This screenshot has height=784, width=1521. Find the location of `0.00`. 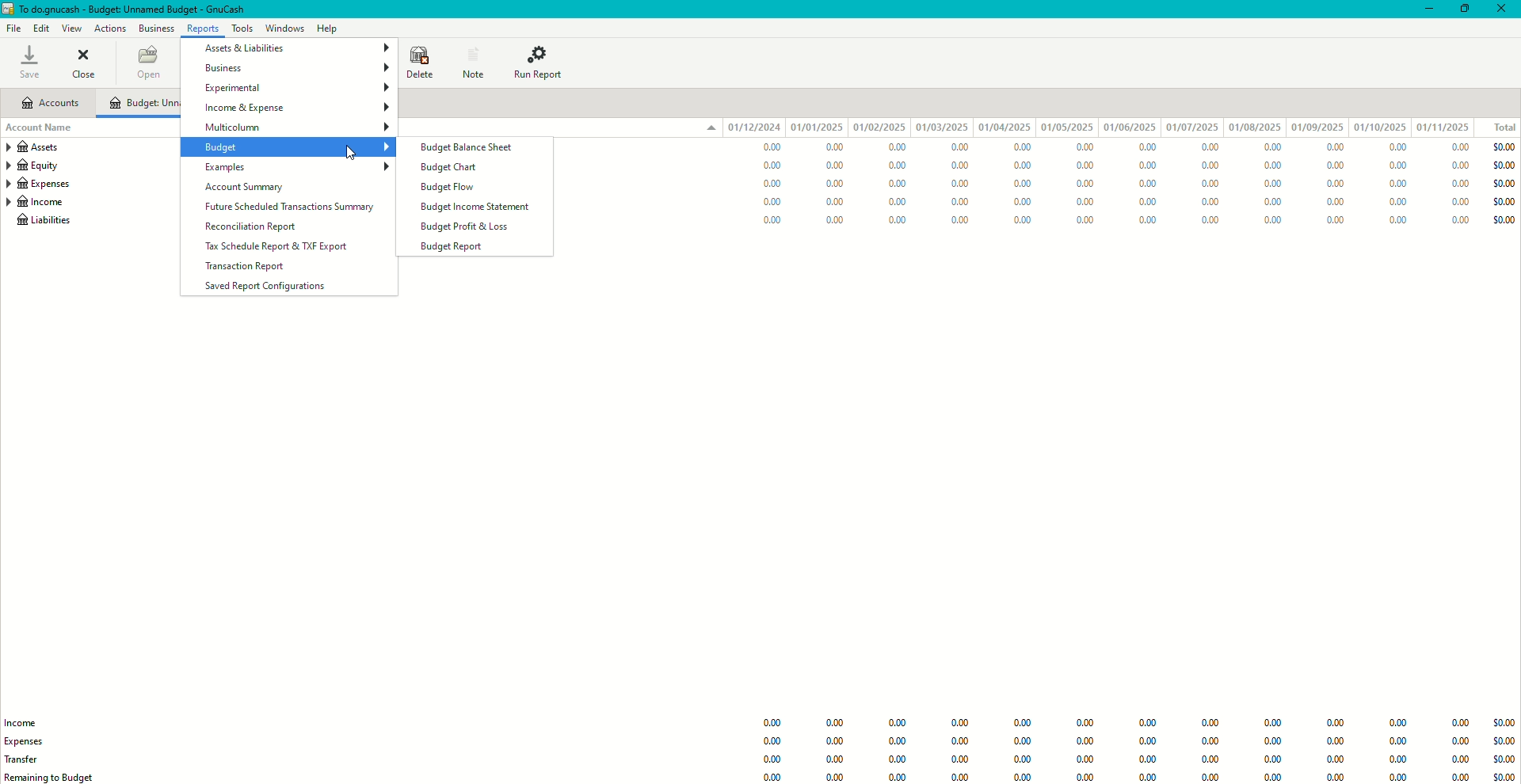

0.00 is located at coordinates (839, 760).